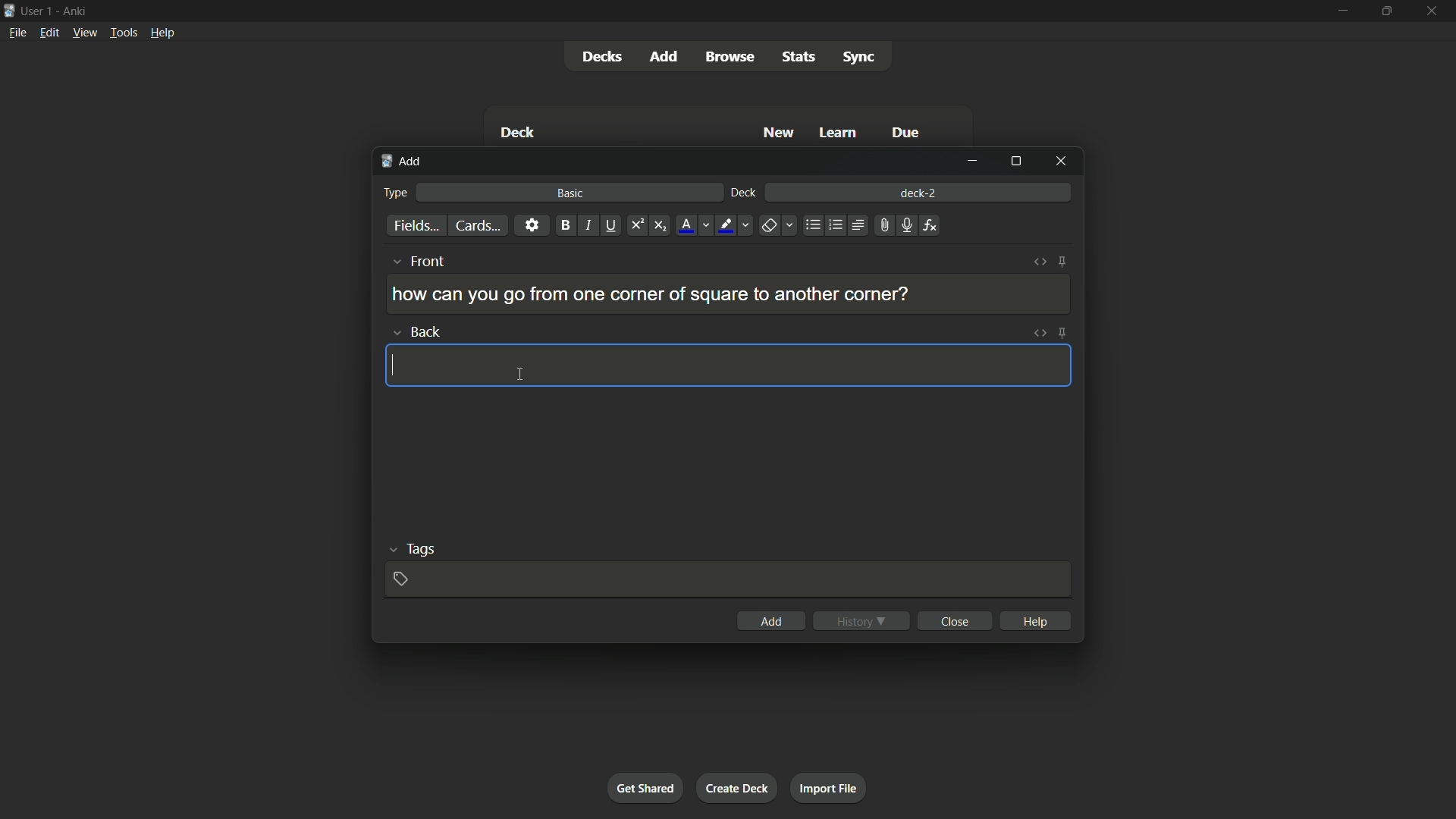  What do you see at coordinates (521, 375) in the screenshot?
I see `cursor` at bounding box center [521, 375].